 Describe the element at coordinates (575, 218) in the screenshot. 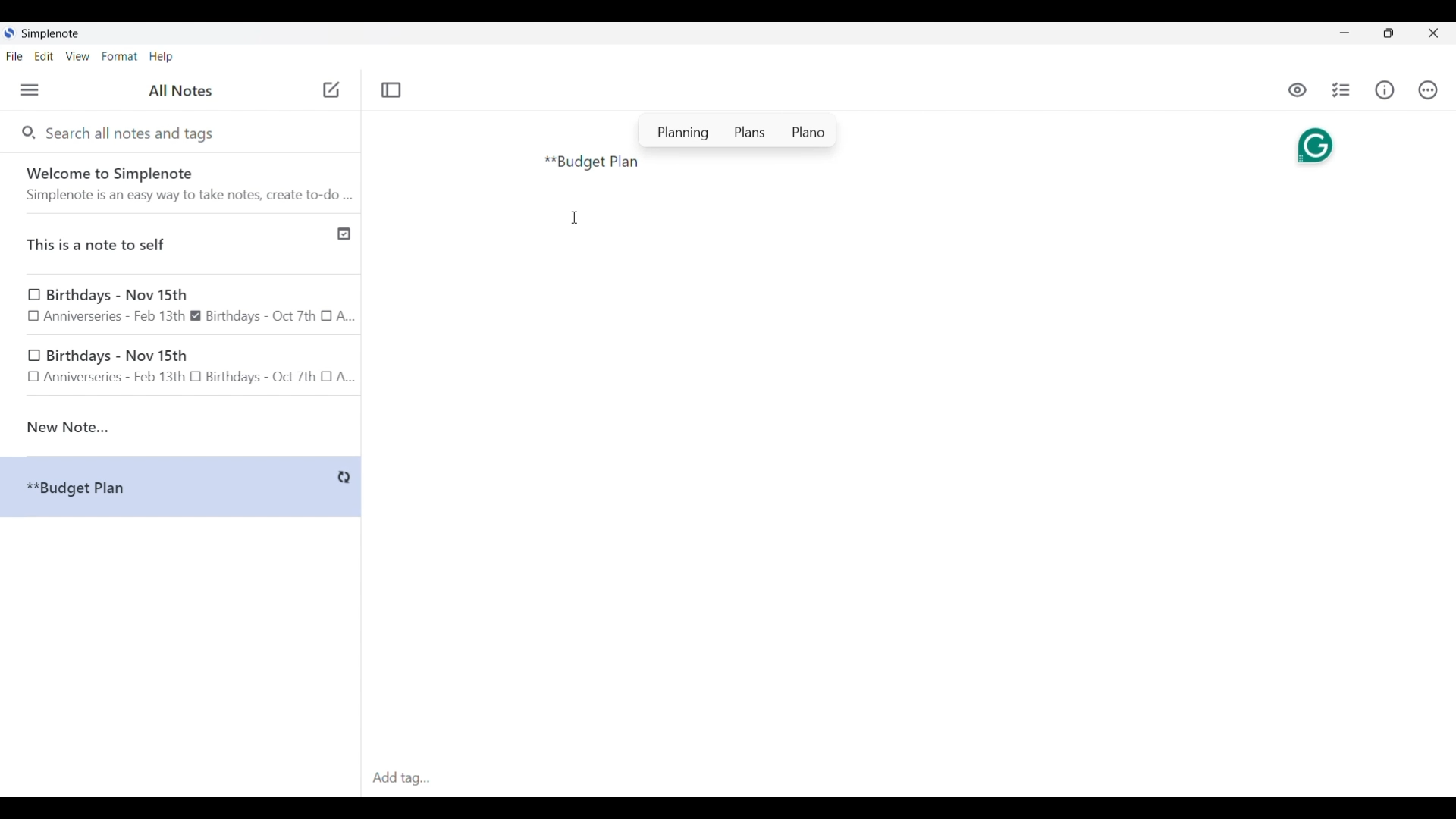

I see `Cursor position unchanged while typing in "**"` at that location.